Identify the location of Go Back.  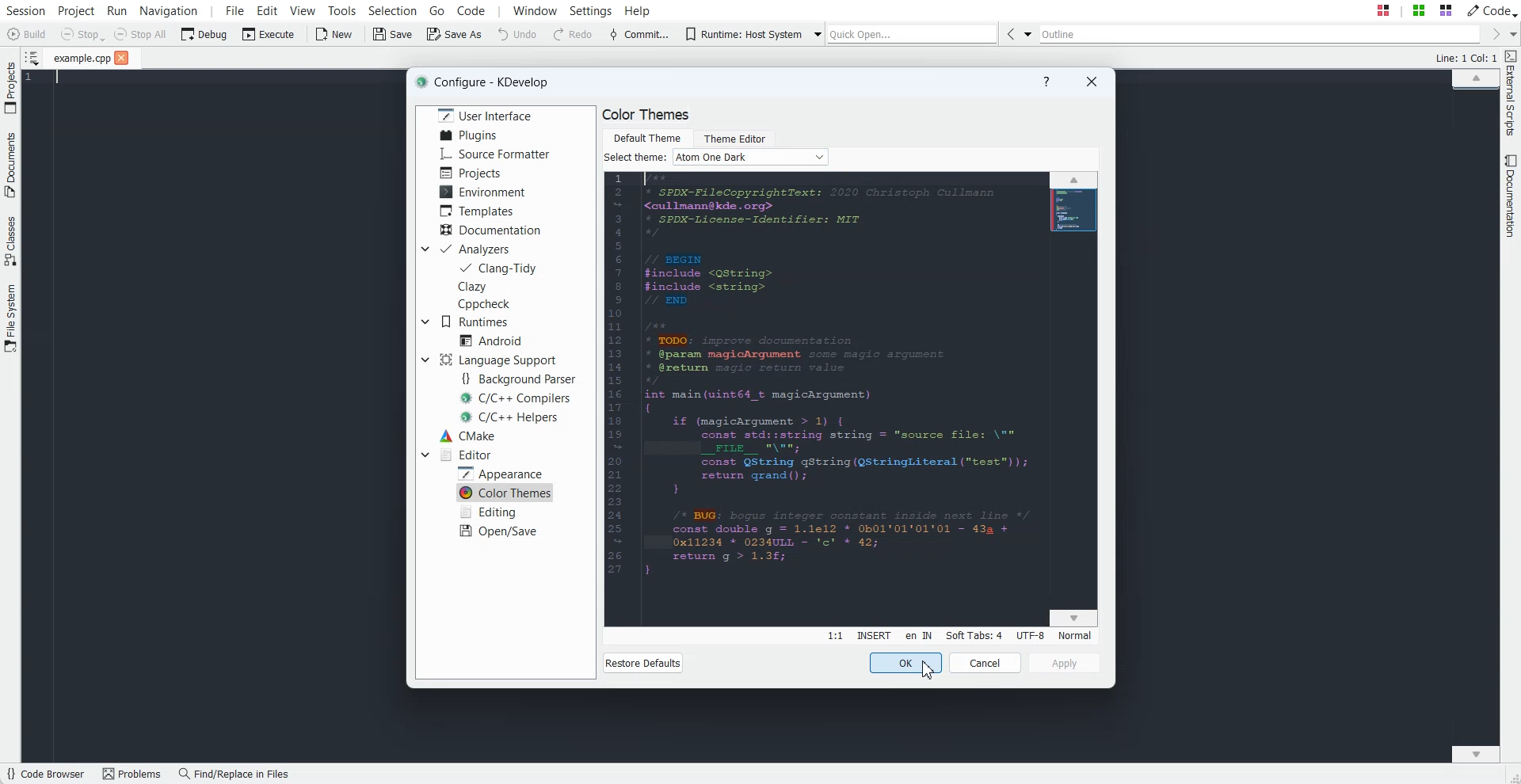
(1008, 33).